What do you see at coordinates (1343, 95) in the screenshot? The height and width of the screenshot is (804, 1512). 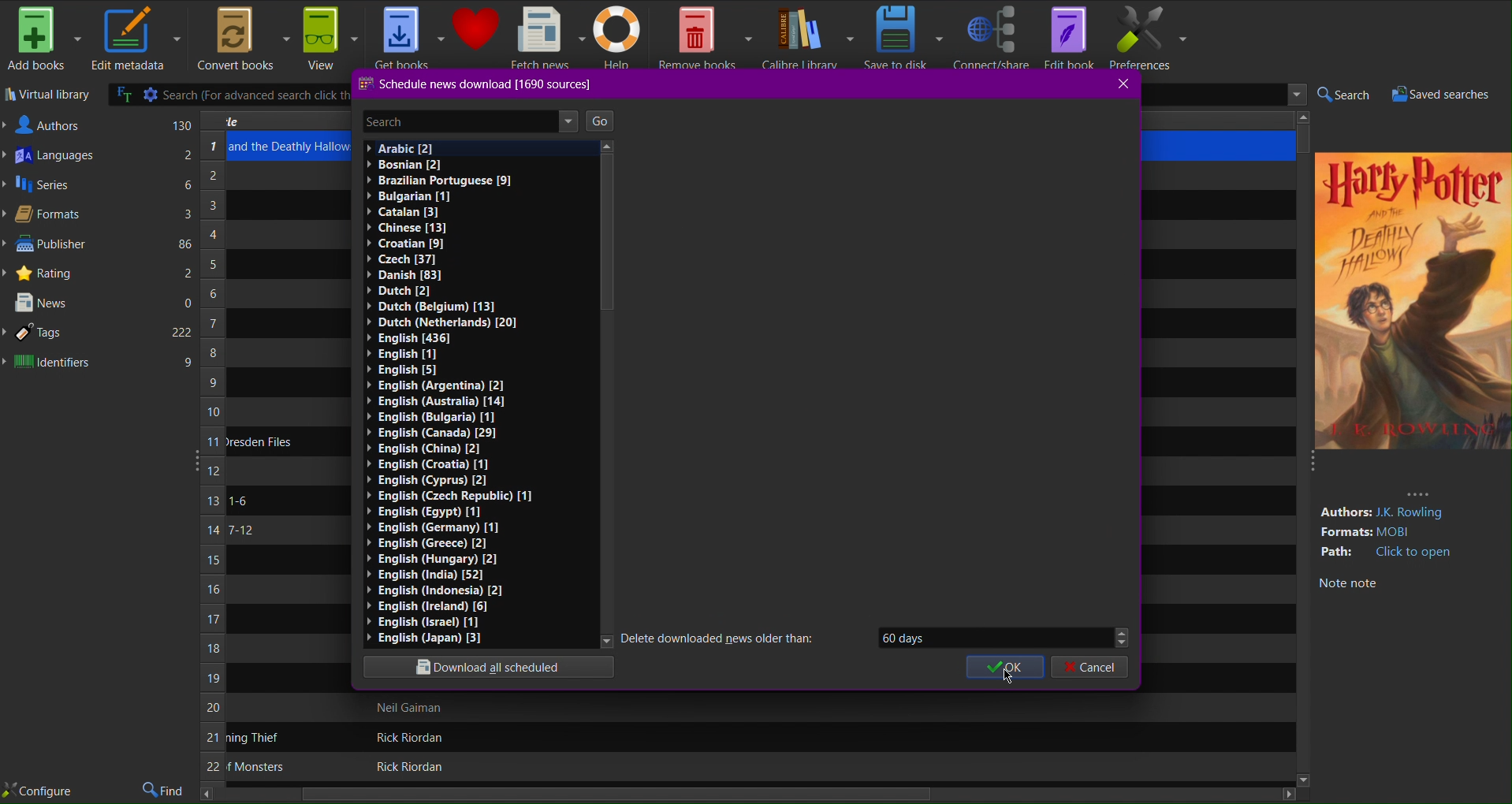 I see `Search` at bounding box center [1343, 95].